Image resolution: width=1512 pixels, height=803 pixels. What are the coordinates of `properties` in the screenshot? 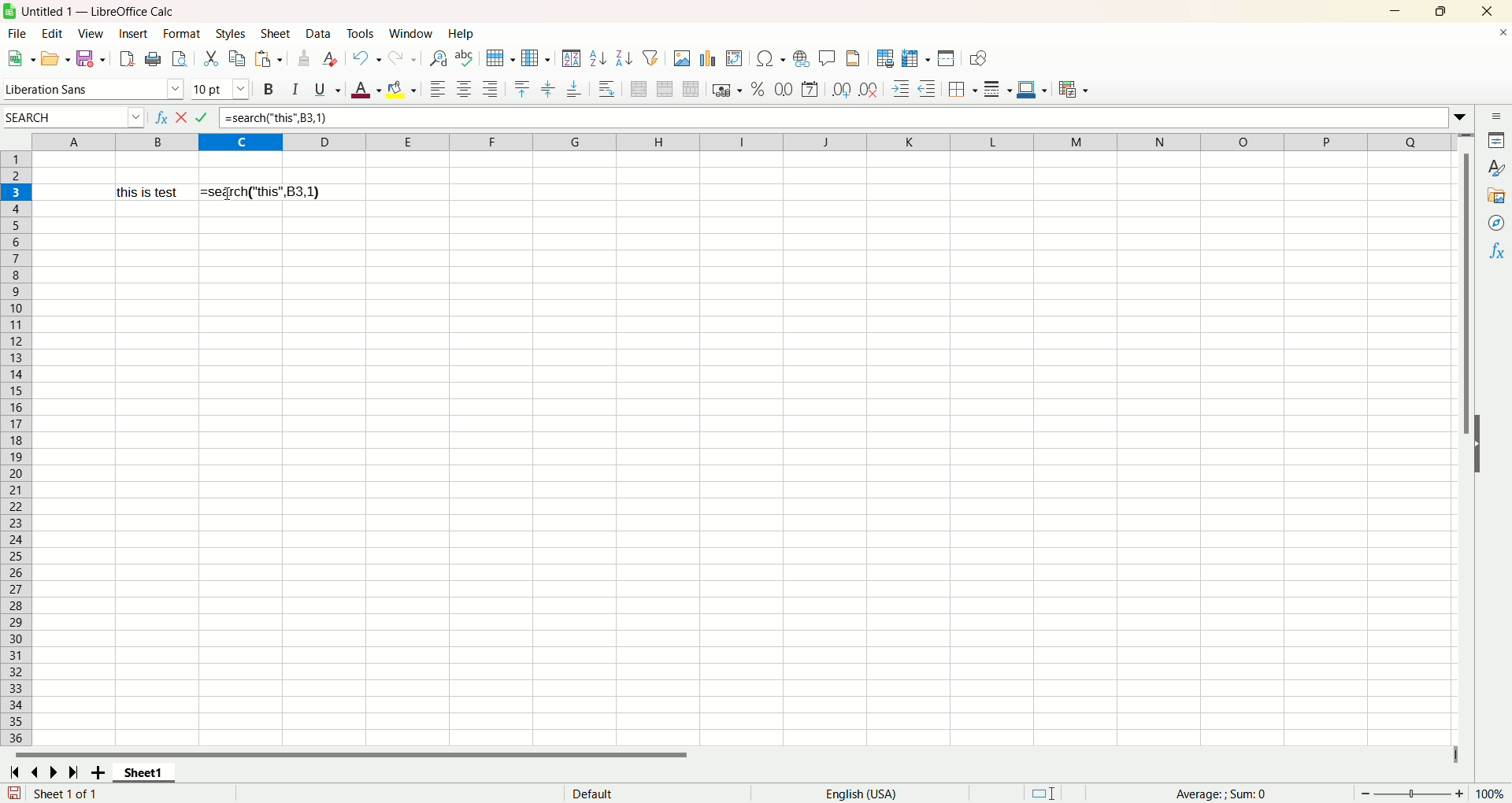 It's located at (1498, 140).